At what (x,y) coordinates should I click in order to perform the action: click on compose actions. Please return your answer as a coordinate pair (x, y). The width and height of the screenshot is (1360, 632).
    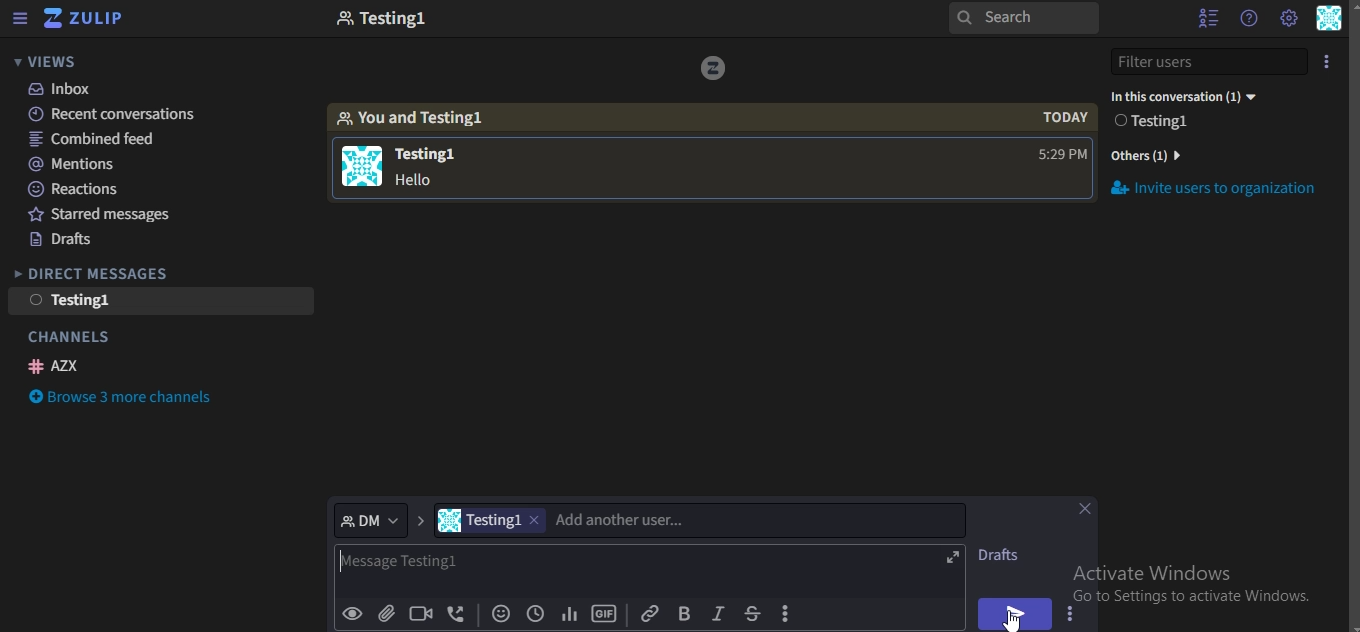
    Looking at the image, I should click on (788, 614).